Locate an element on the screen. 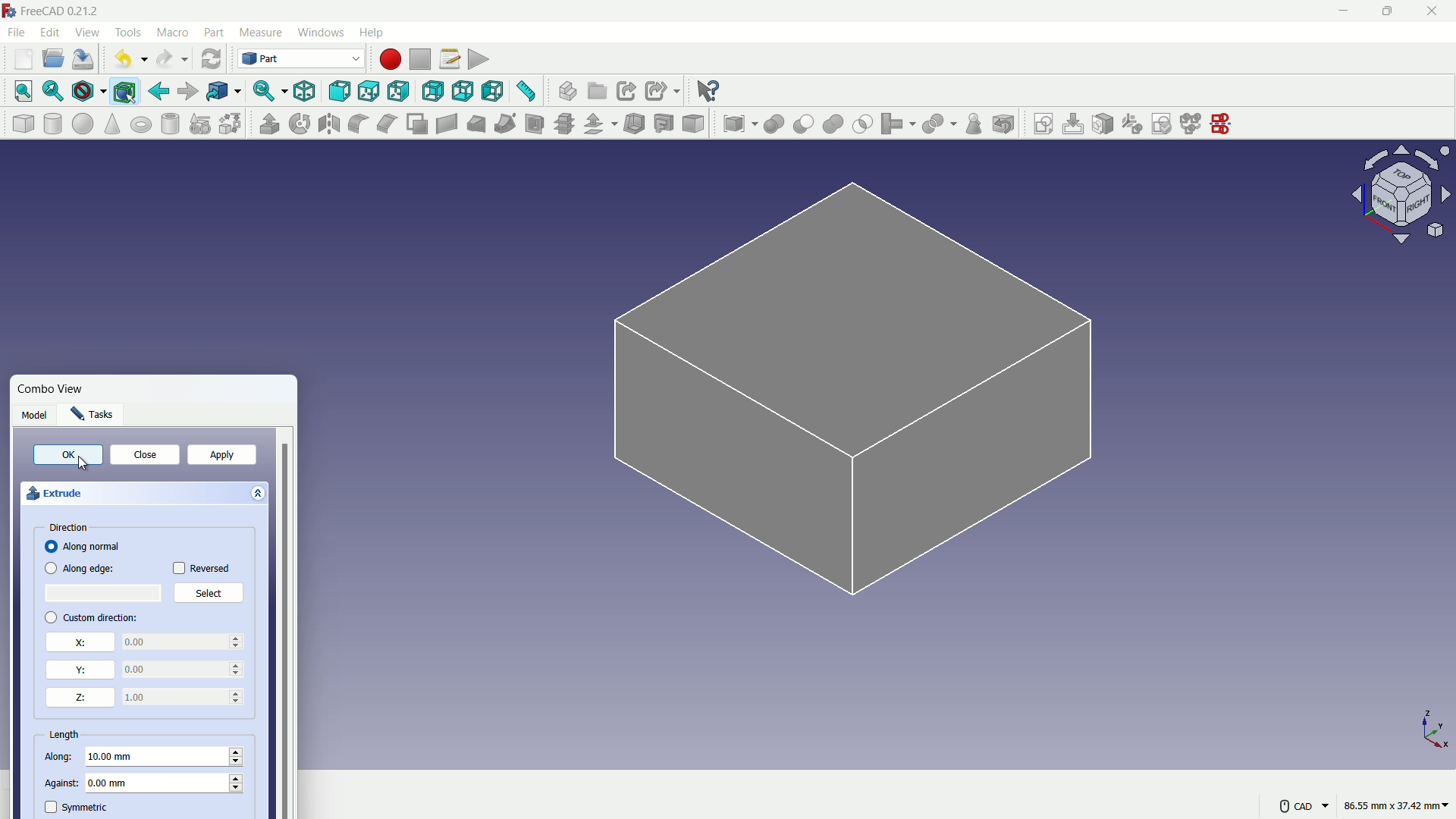  open file is located at coordinates (54, 58).